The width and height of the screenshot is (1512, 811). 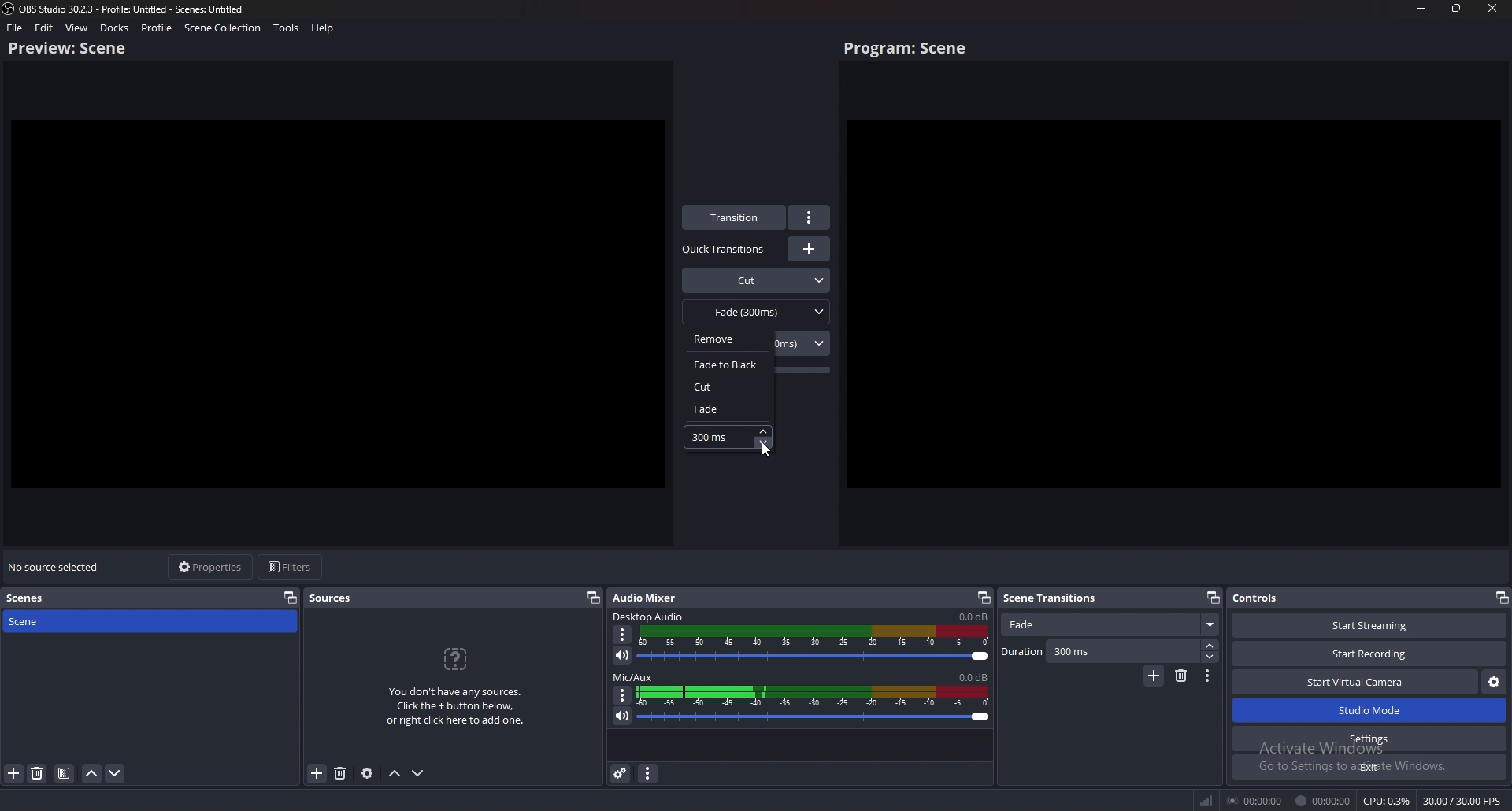 I want to click on mute, so click(x=623, y=716).